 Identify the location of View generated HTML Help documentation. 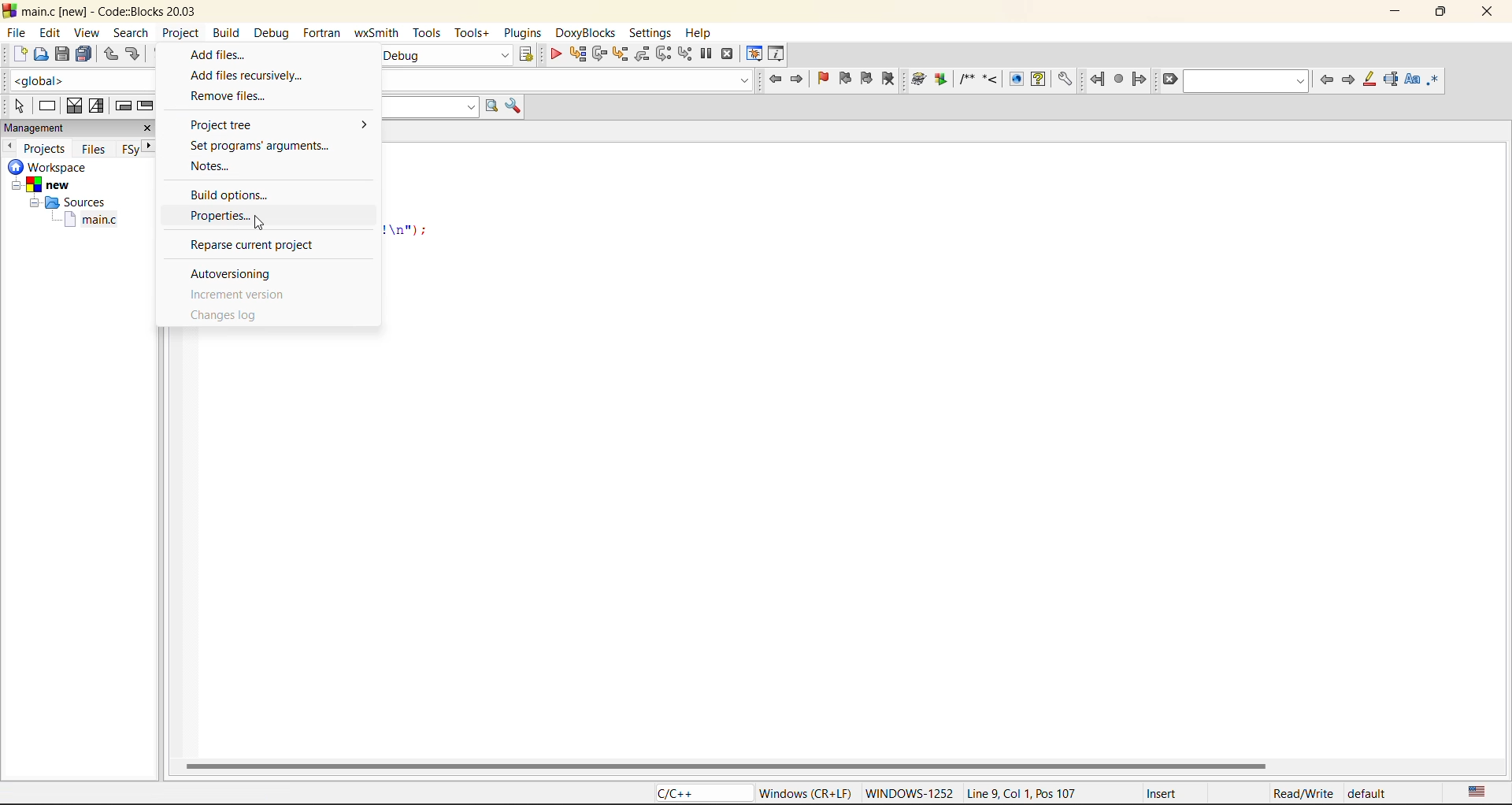
(1038, 78).